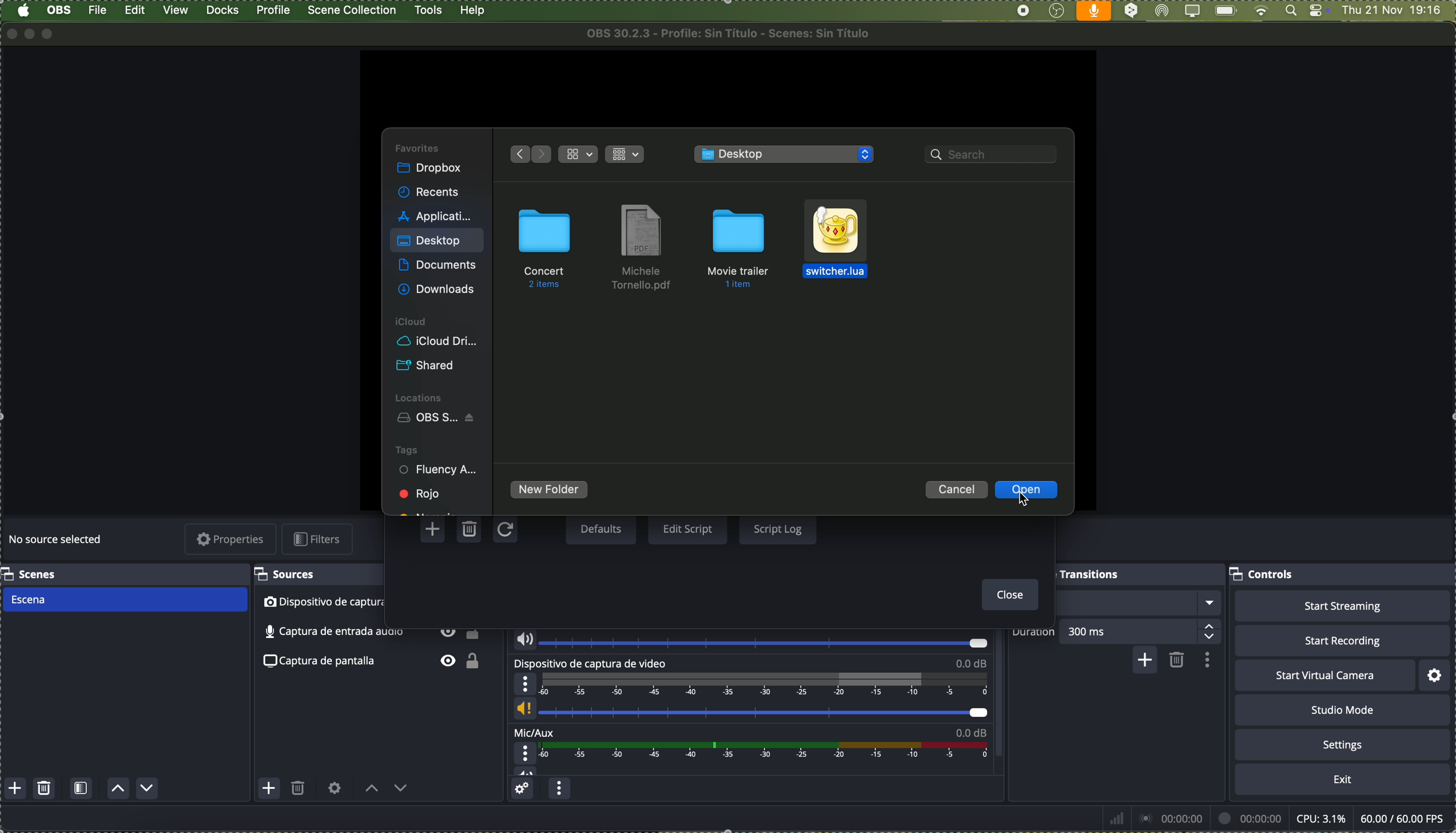 This screenshot has width=1456, height=833. I want to click on scenes, so click(31, 574).